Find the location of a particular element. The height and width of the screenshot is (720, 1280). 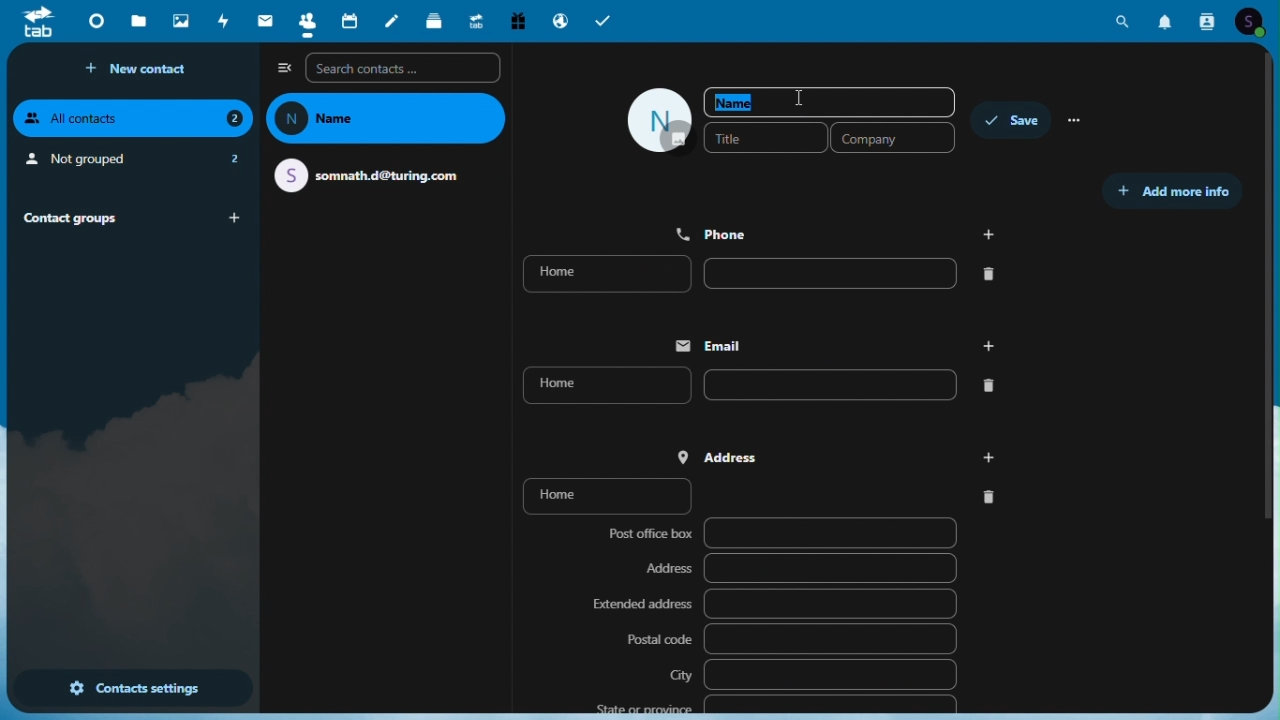

Name  is located at coordinates (831, 102).